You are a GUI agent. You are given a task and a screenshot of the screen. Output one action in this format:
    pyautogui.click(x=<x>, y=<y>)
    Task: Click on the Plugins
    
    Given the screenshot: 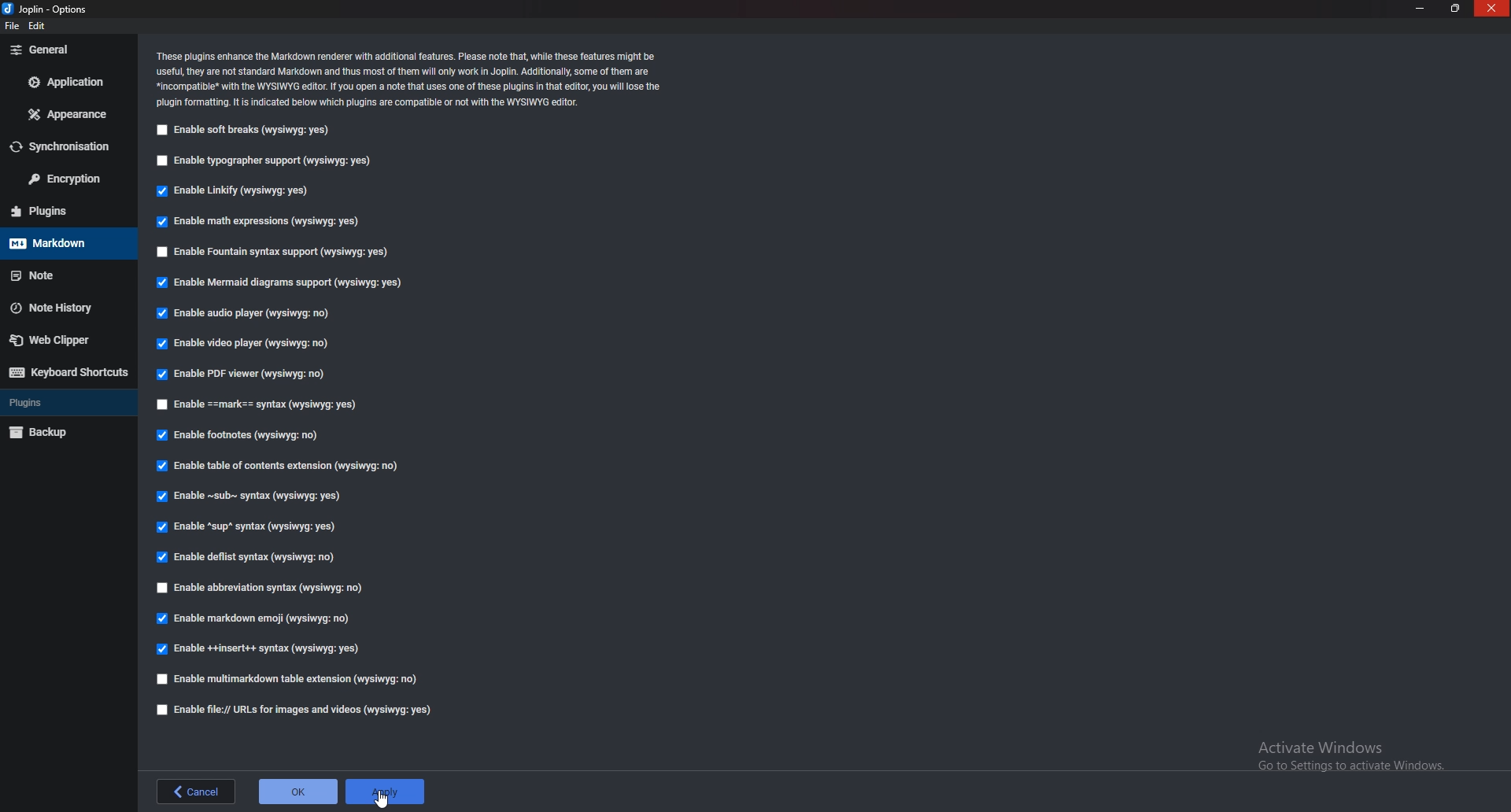 What is the action you would take?
    pyautogui.click(x=62, y=212)
    